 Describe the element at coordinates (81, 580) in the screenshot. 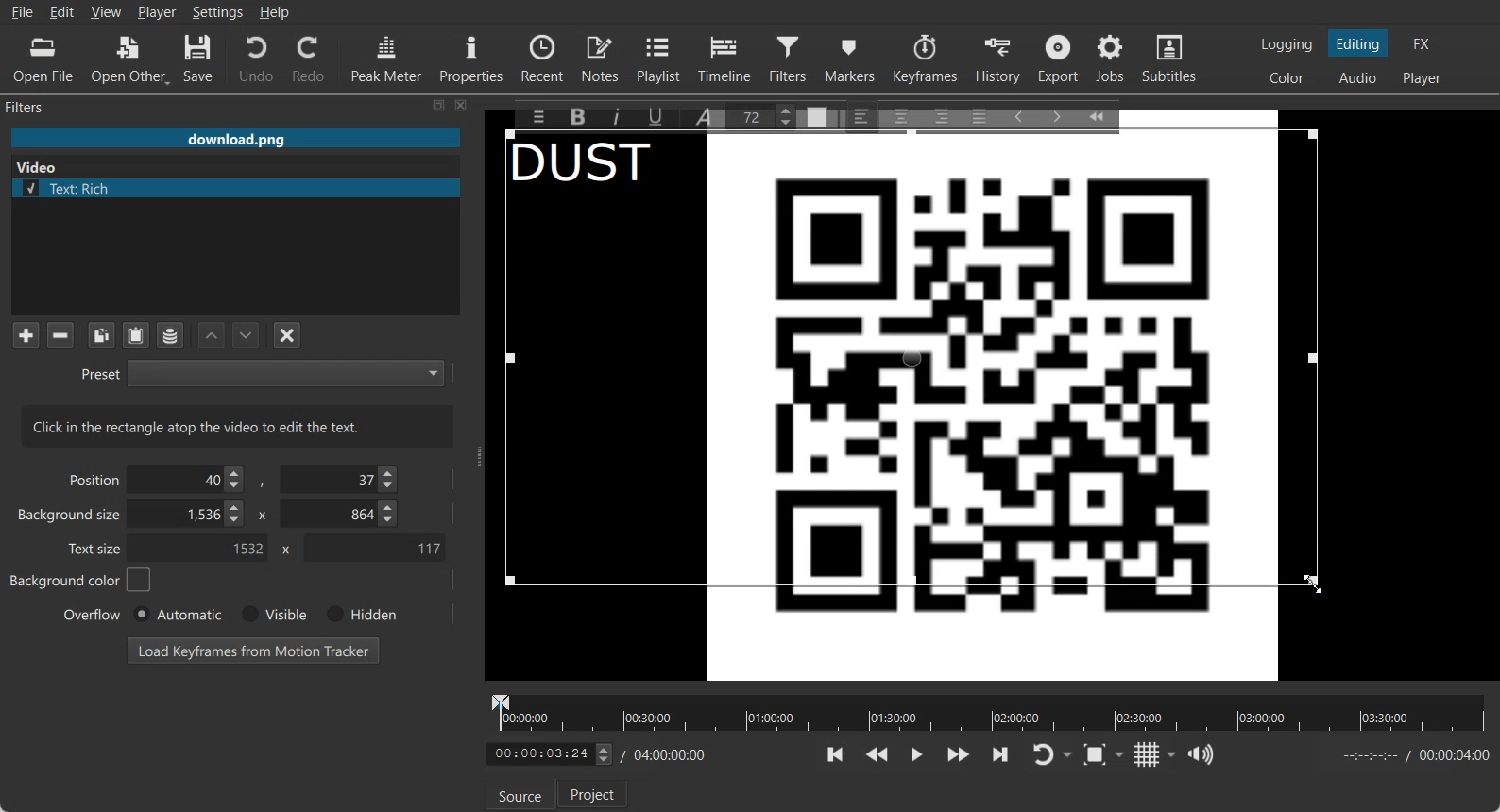

I see `Background color` at that location.